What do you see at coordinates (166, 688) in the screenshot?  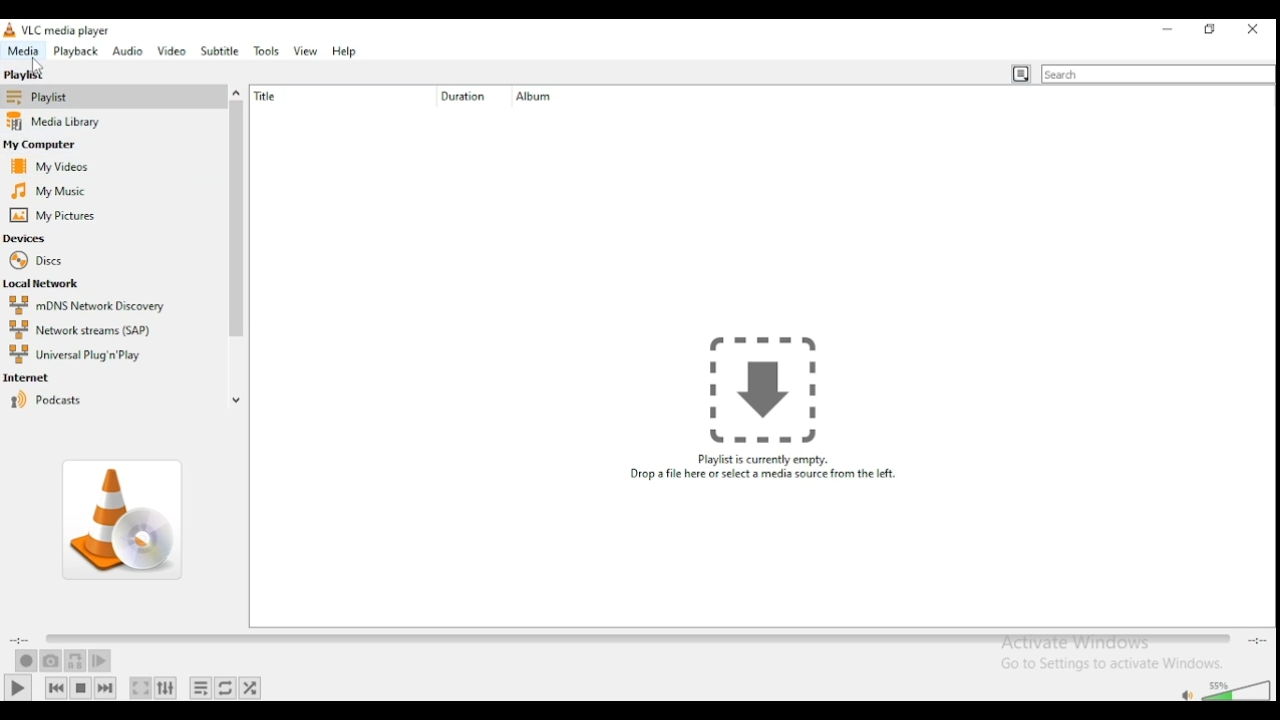 I see `show extended settings` at bounding box center [166, 688].